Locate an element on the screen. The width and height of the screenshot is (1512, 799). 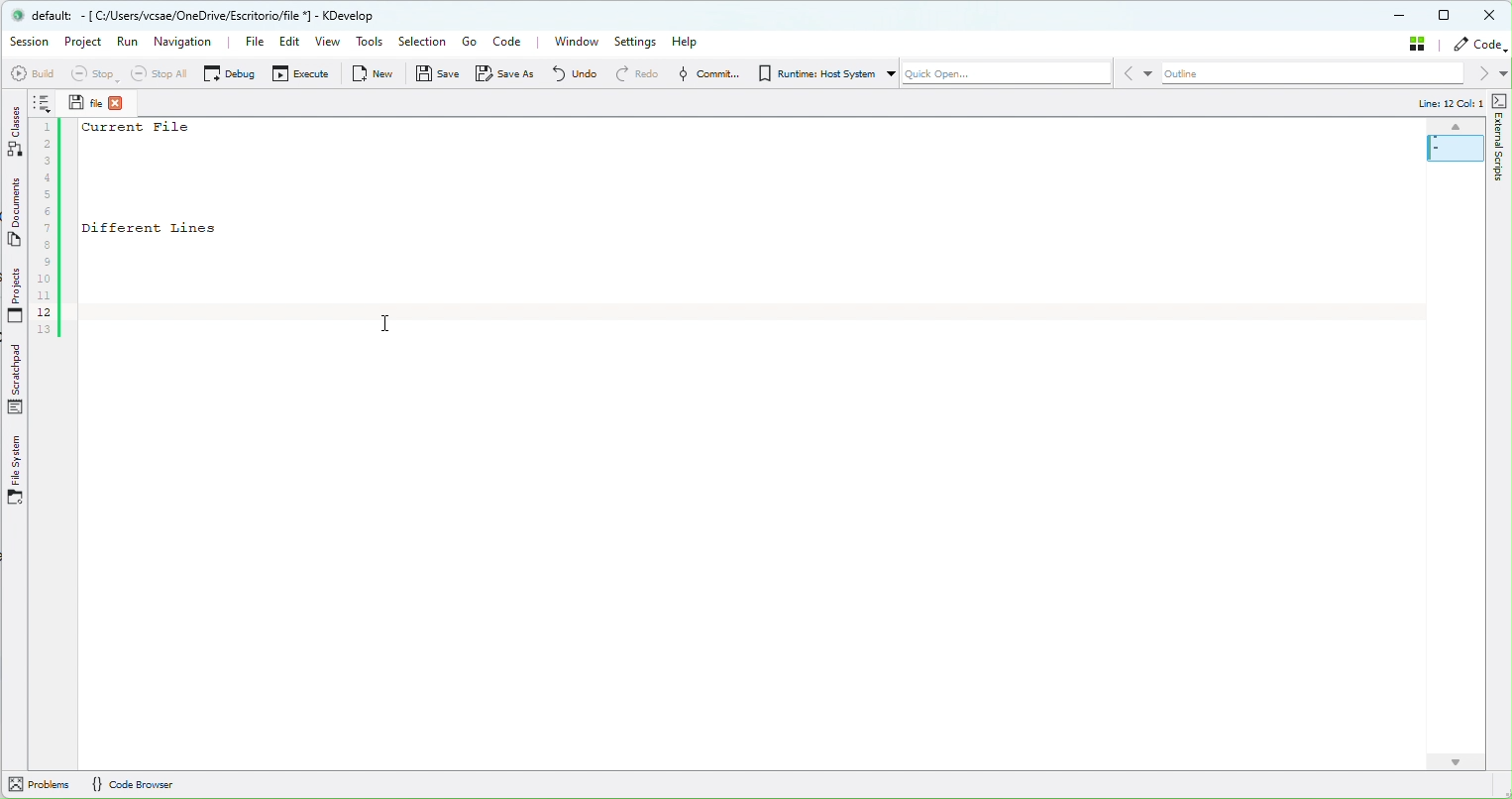
Settings is located at coordinates (636, 44).